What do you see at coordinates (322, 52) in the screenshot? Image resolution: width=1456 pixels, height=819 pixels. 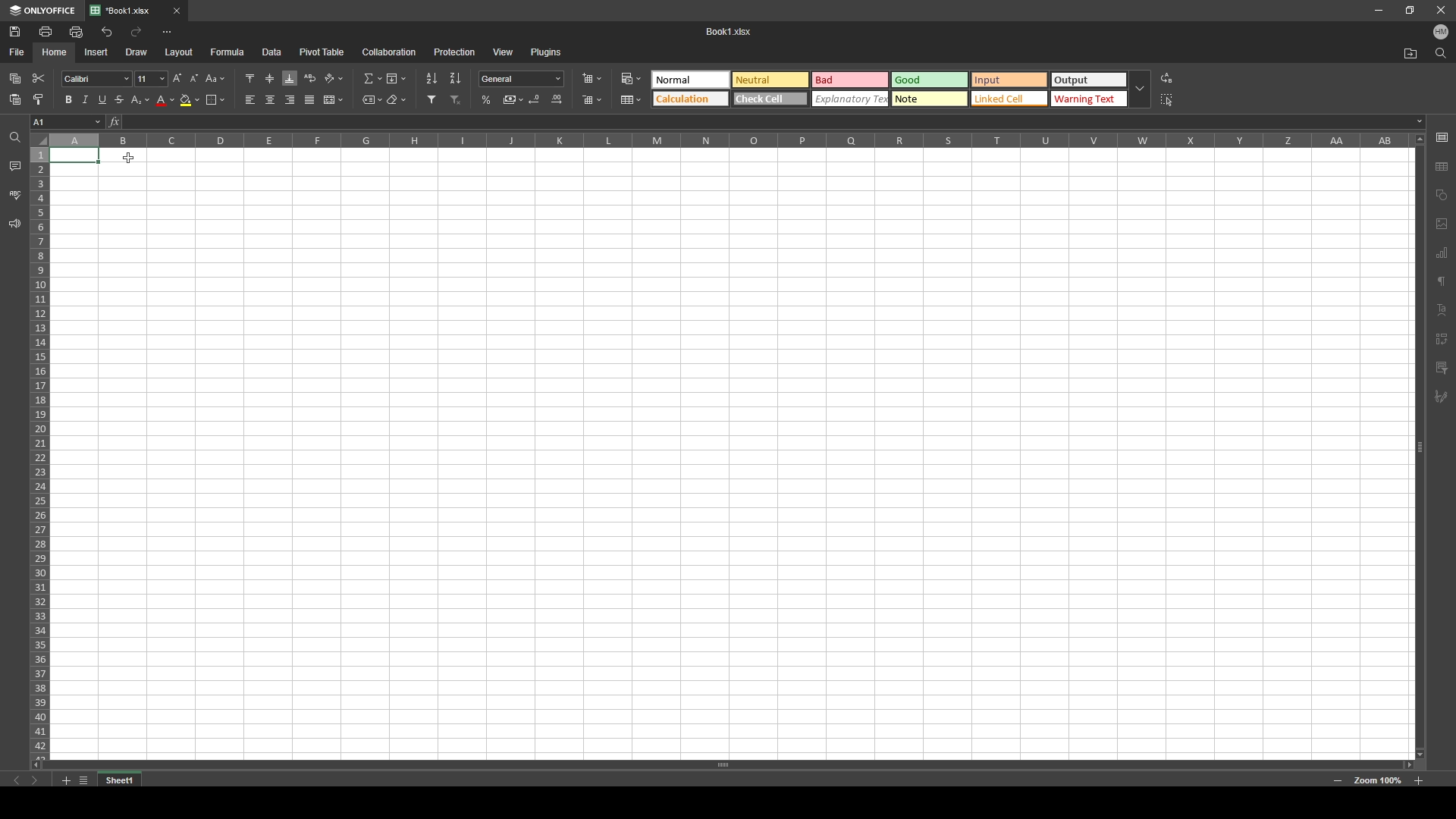 I see `pivot table` at bounding box center [322, 52].